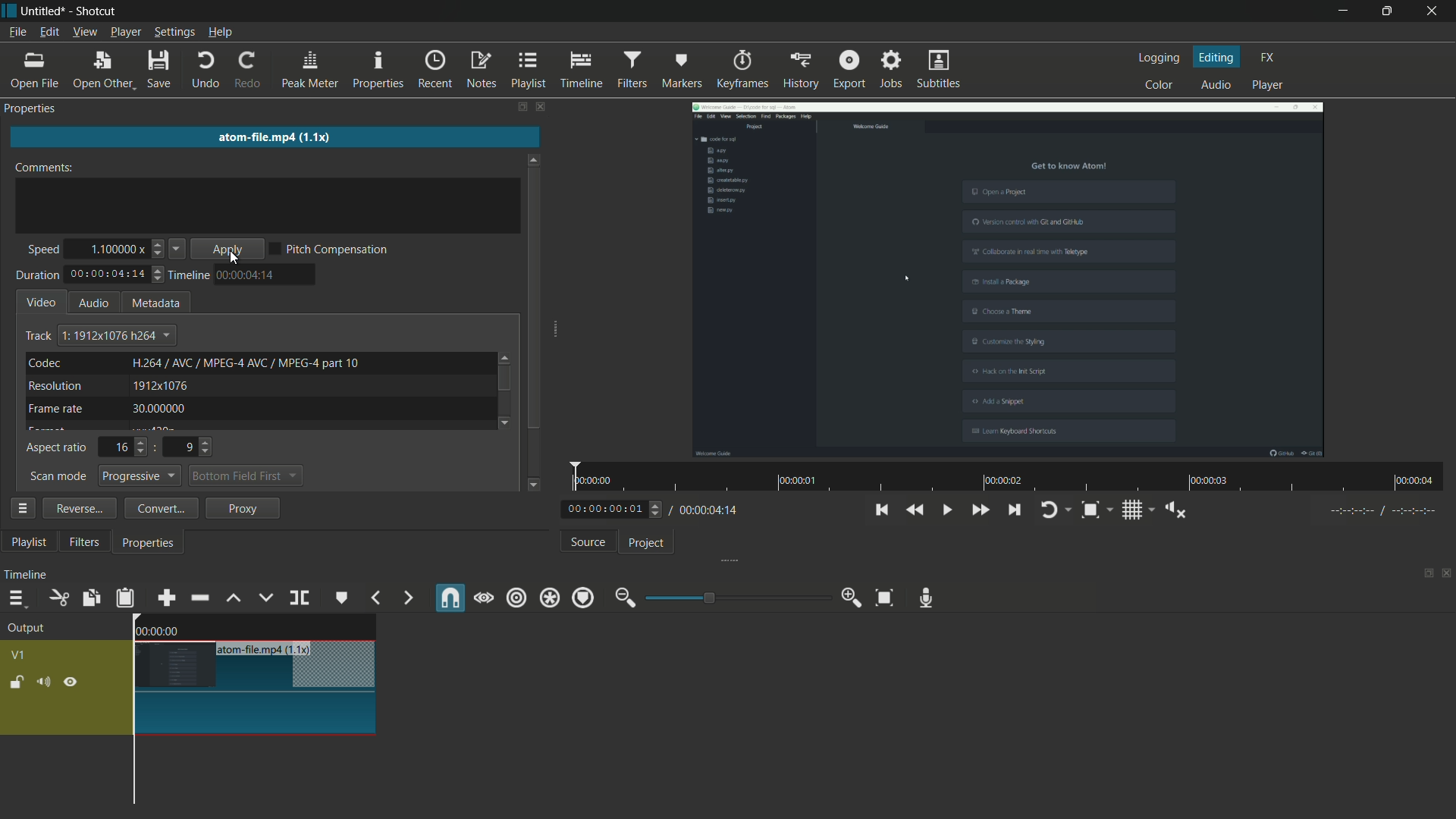  What do you see at coordinates (1161, 58) in the screenshot?
I see `logging` at bounding box center [1161, 58].